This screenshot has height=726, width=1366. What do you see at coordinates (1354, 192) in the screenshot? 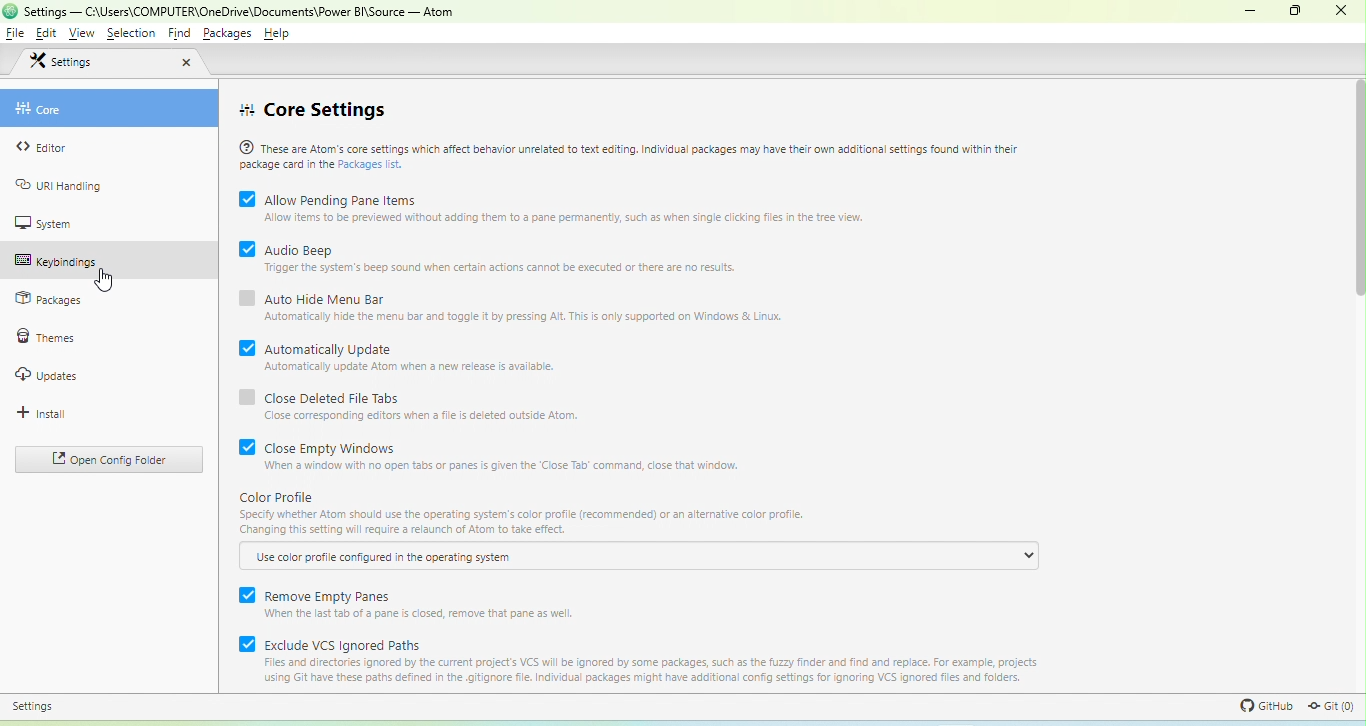
I see `vertical scroll bar` at bounding box center [1354, 192].